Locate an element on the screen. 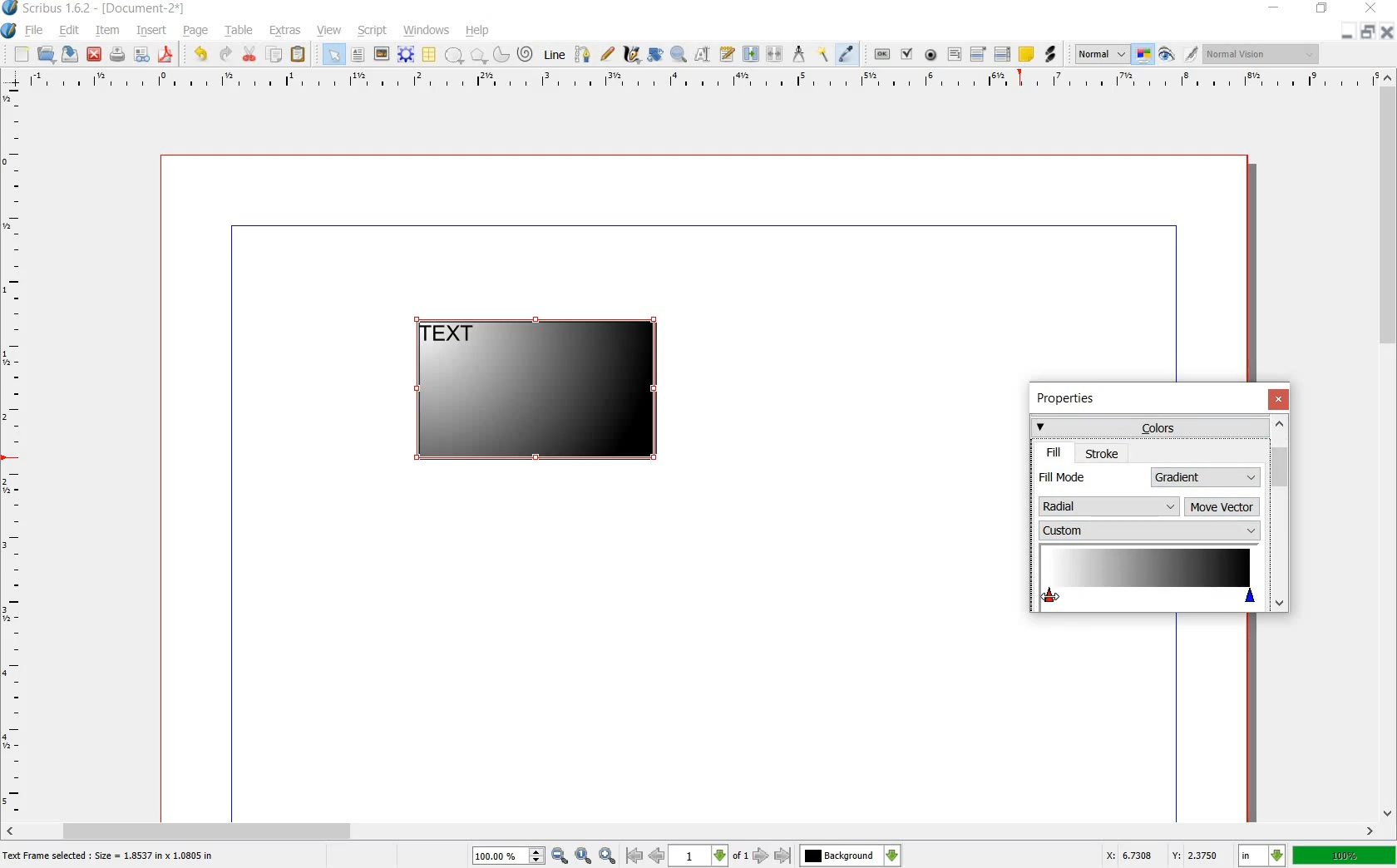  stroke is located at coordinates (1103, 453).